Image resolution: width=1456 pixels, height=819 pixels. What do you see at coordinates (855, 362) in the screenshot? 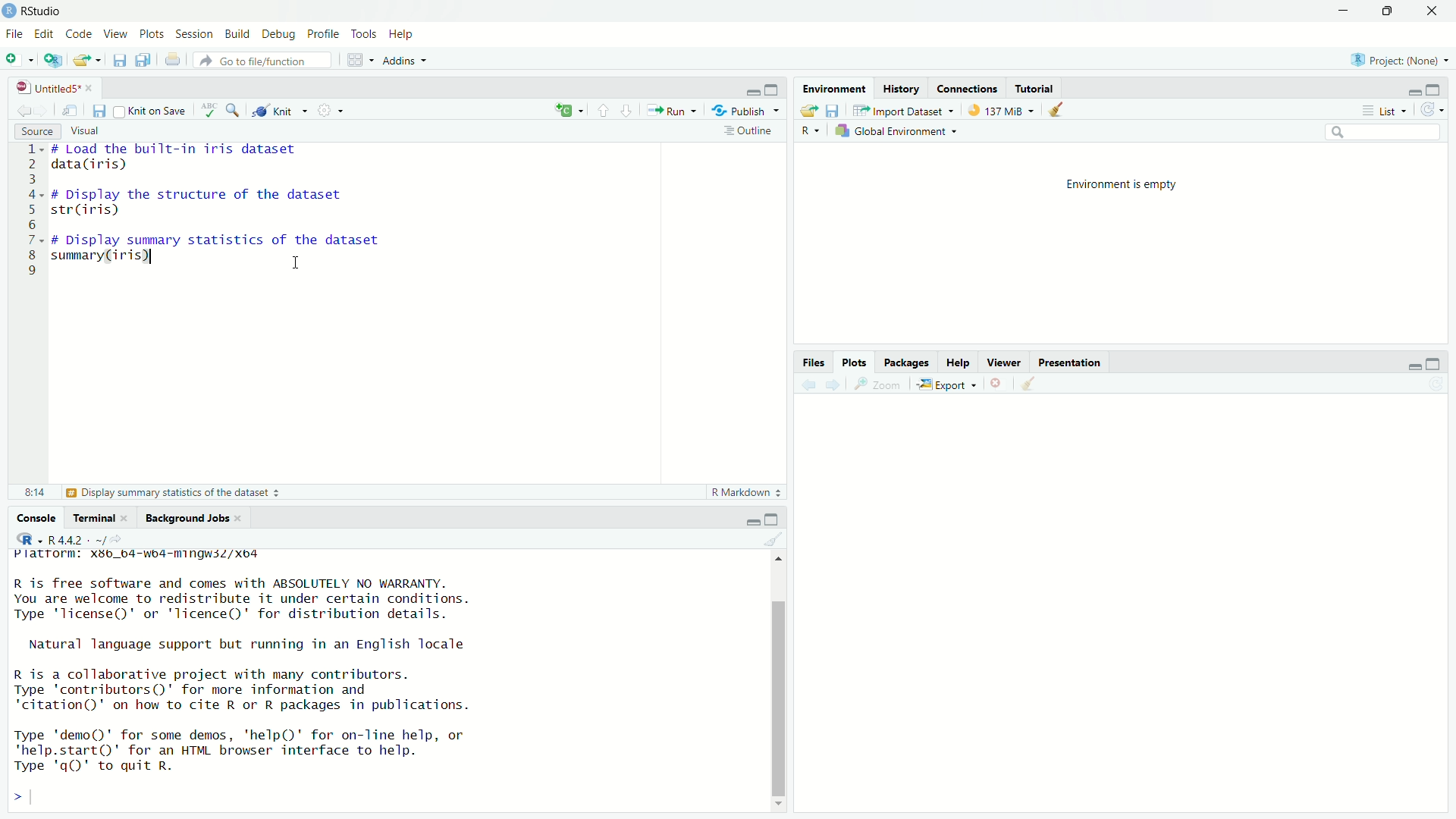
I see `Plots` at bounding box center [855, 362].